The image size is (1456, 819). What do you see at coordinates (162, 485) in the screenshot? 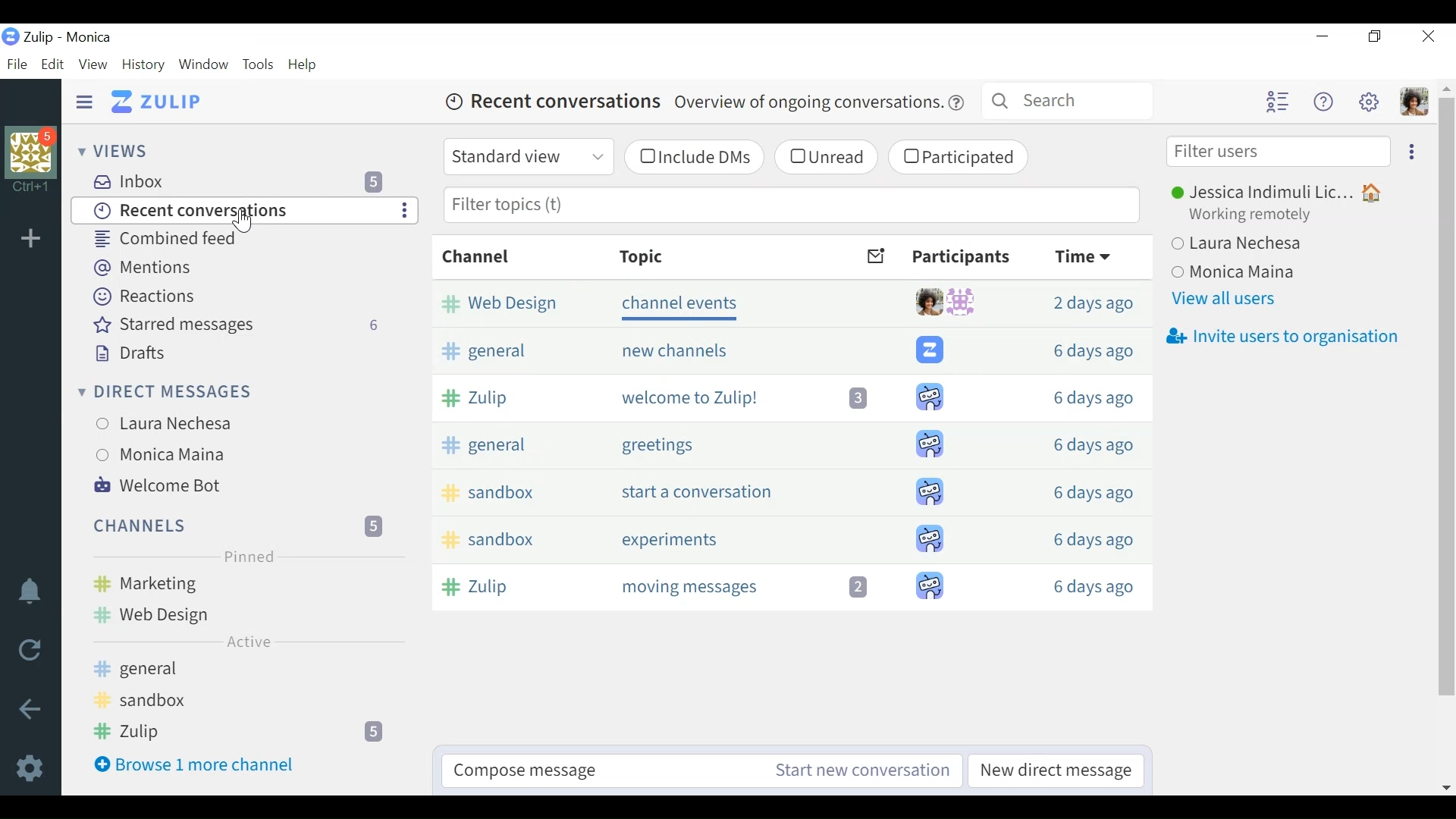
I see `Welcome Bot` at bounding box center [162, 485].